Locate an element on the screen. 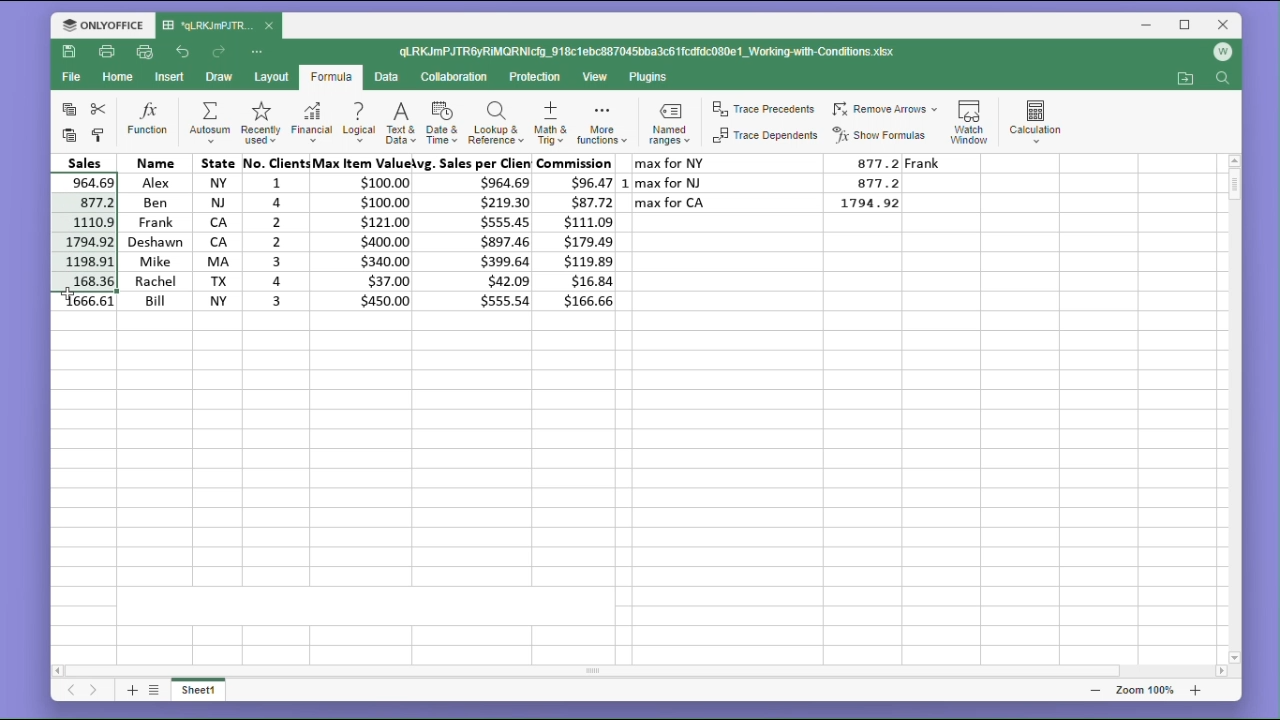  next sheet is located at coordinates (93, 692).